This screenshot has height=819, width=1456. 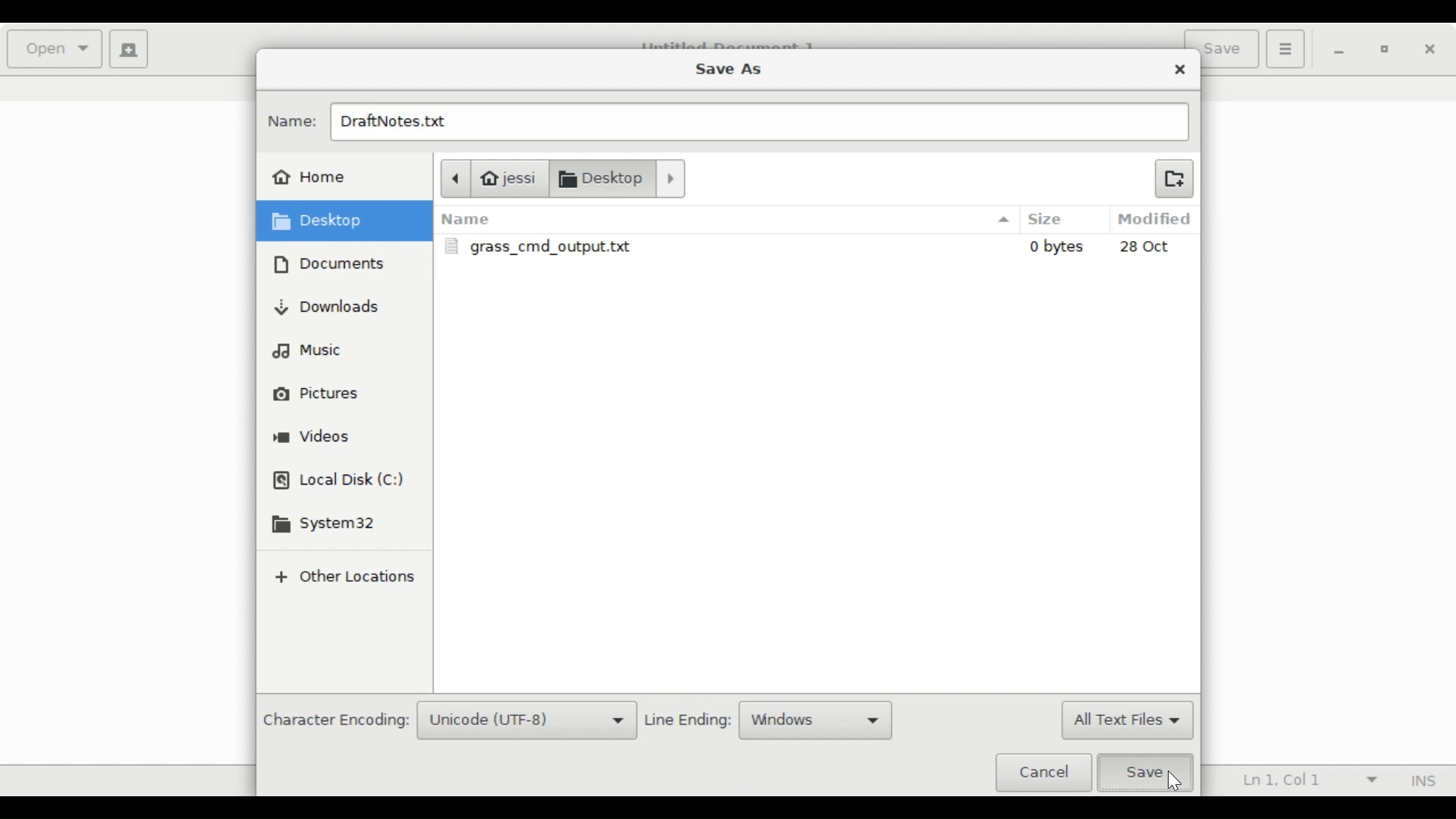 I want to click on Cursor, so click(x=1170, y=780).